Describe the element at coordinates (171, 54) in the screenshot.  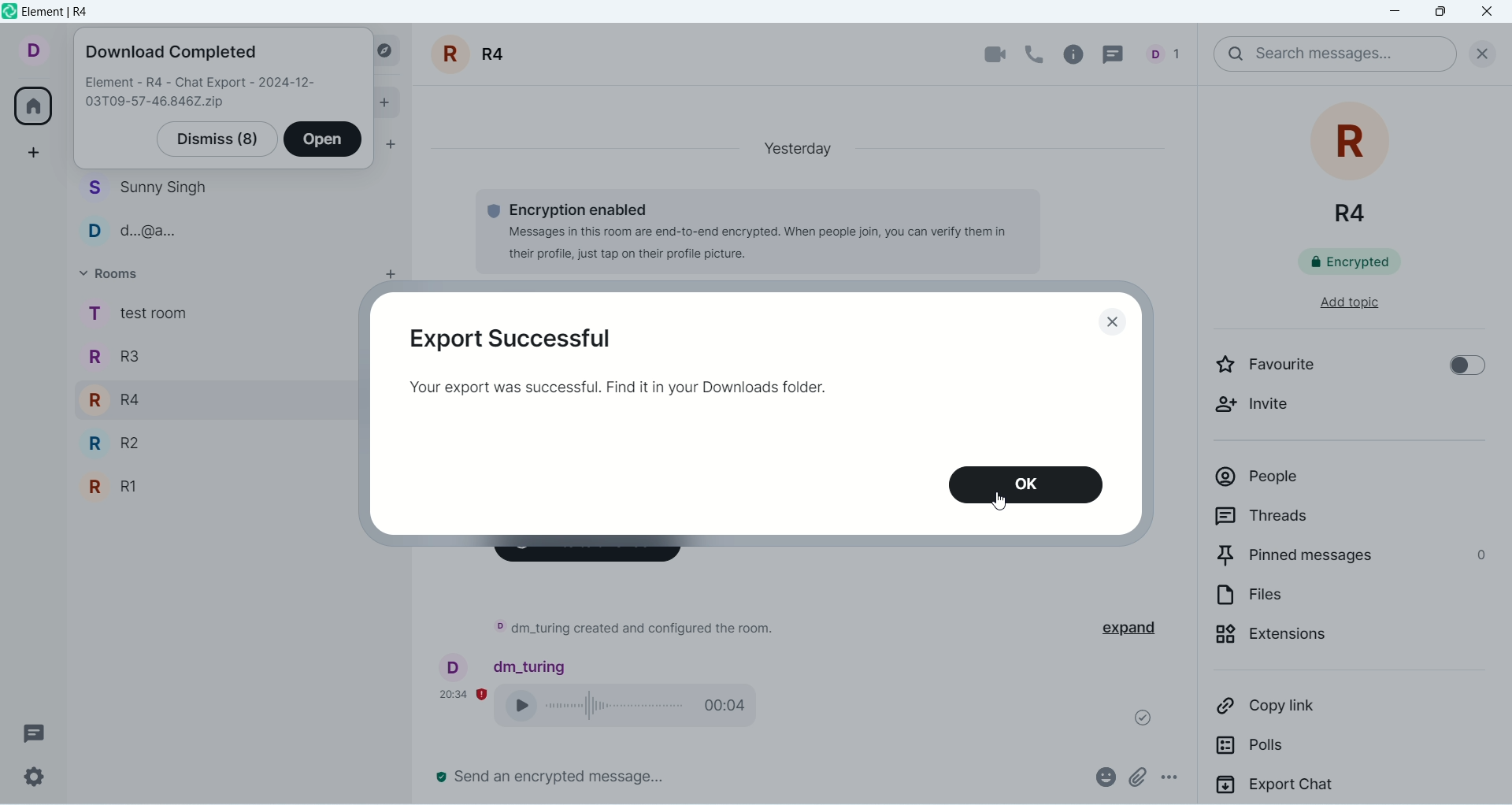
I see `download completed` at that location.